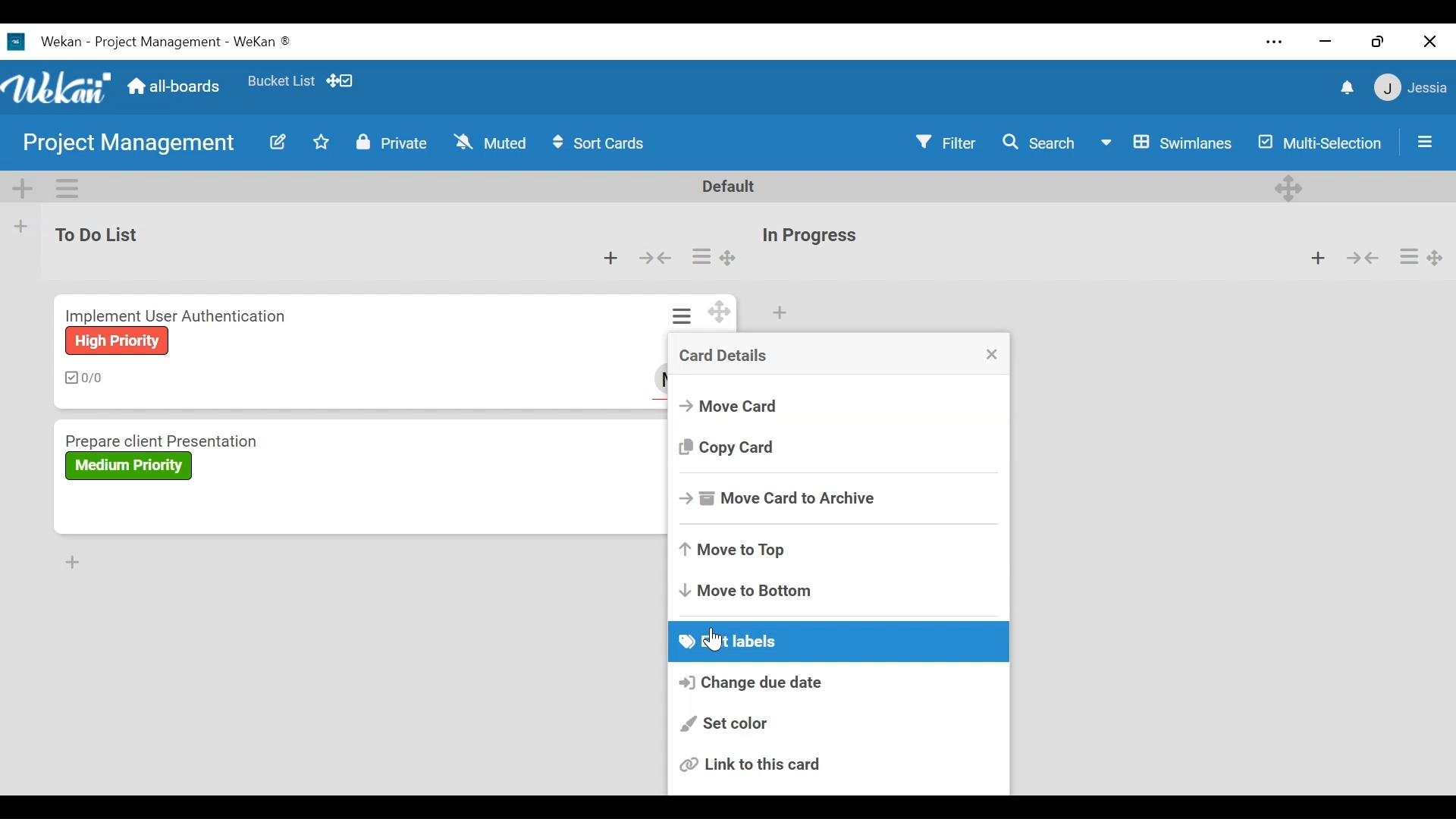  I want to click on Move to Bottom, so click(836, 591).